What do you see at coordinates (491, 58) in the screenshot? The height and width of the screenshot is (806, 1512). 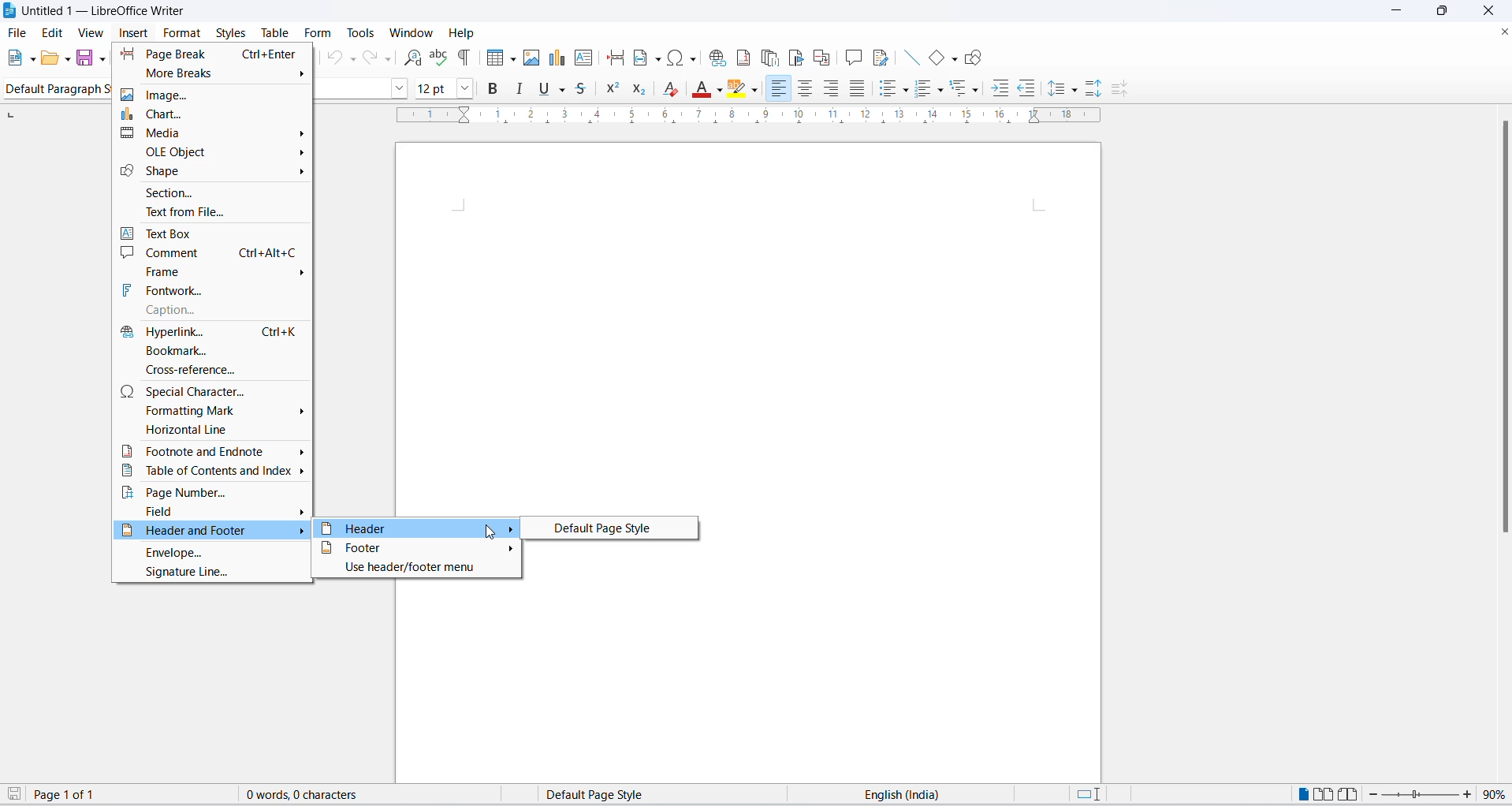 I see `insert grid` at bounding box center [491, 58].